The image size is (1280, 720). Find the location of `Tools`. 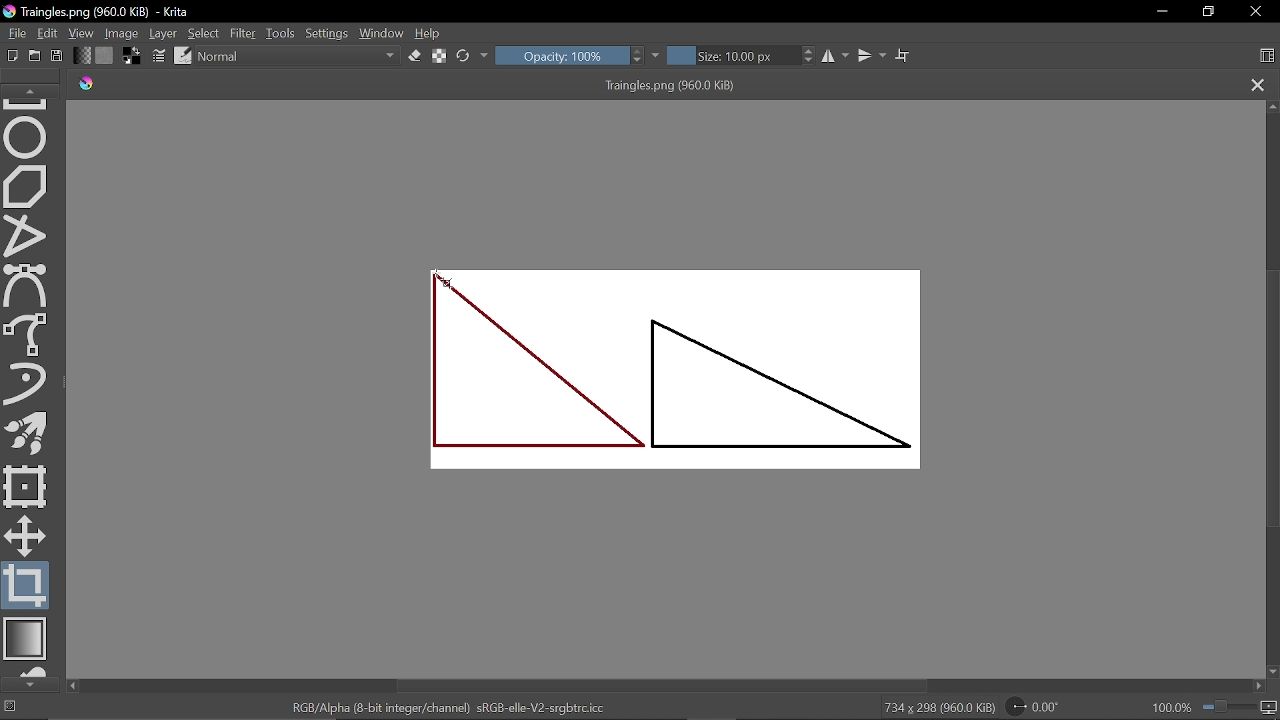

Tools is located at coordinates (281, 33).